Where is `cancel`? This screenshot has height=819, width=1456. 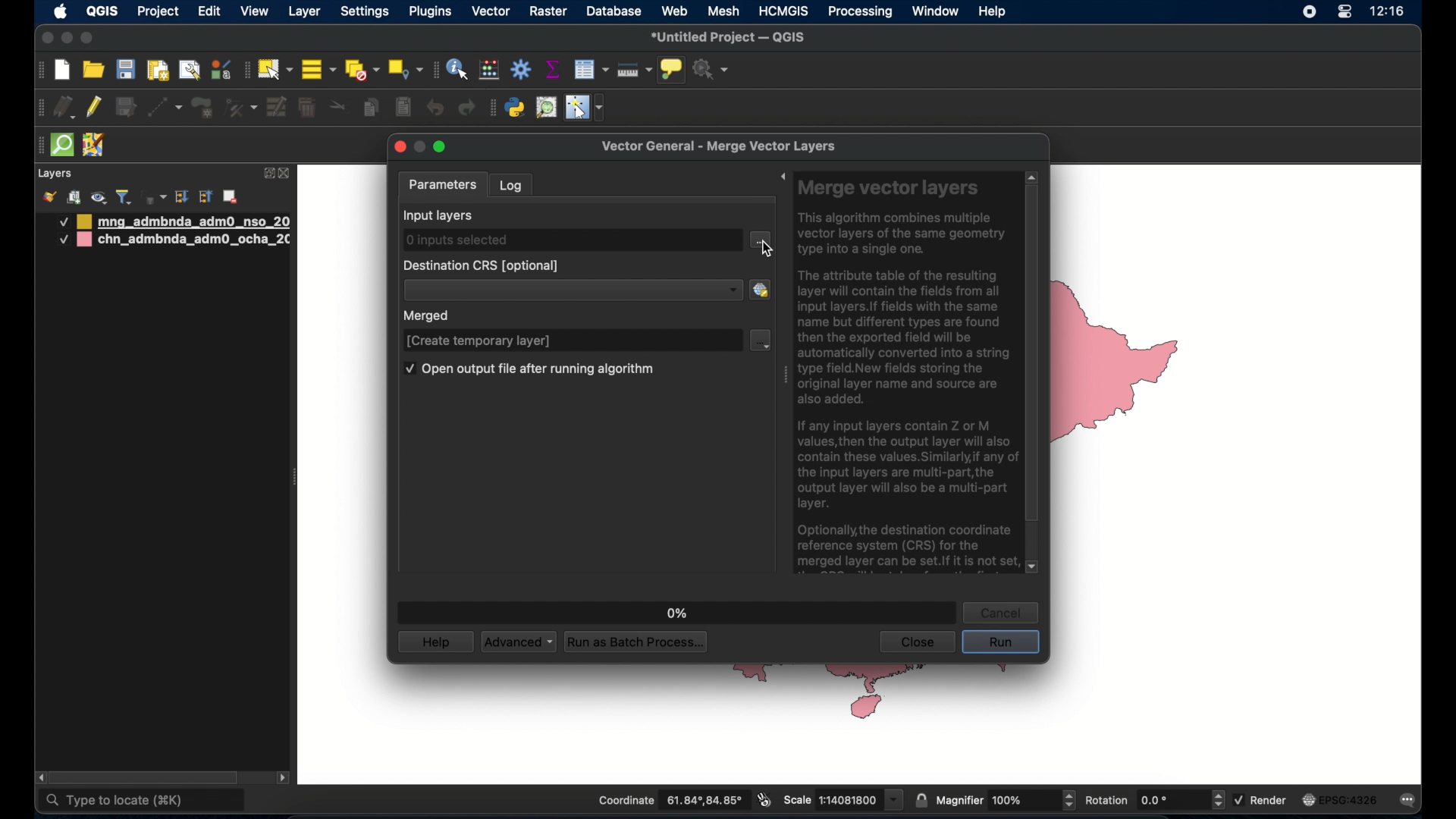 cancel is located at coordinates (1003, 612).